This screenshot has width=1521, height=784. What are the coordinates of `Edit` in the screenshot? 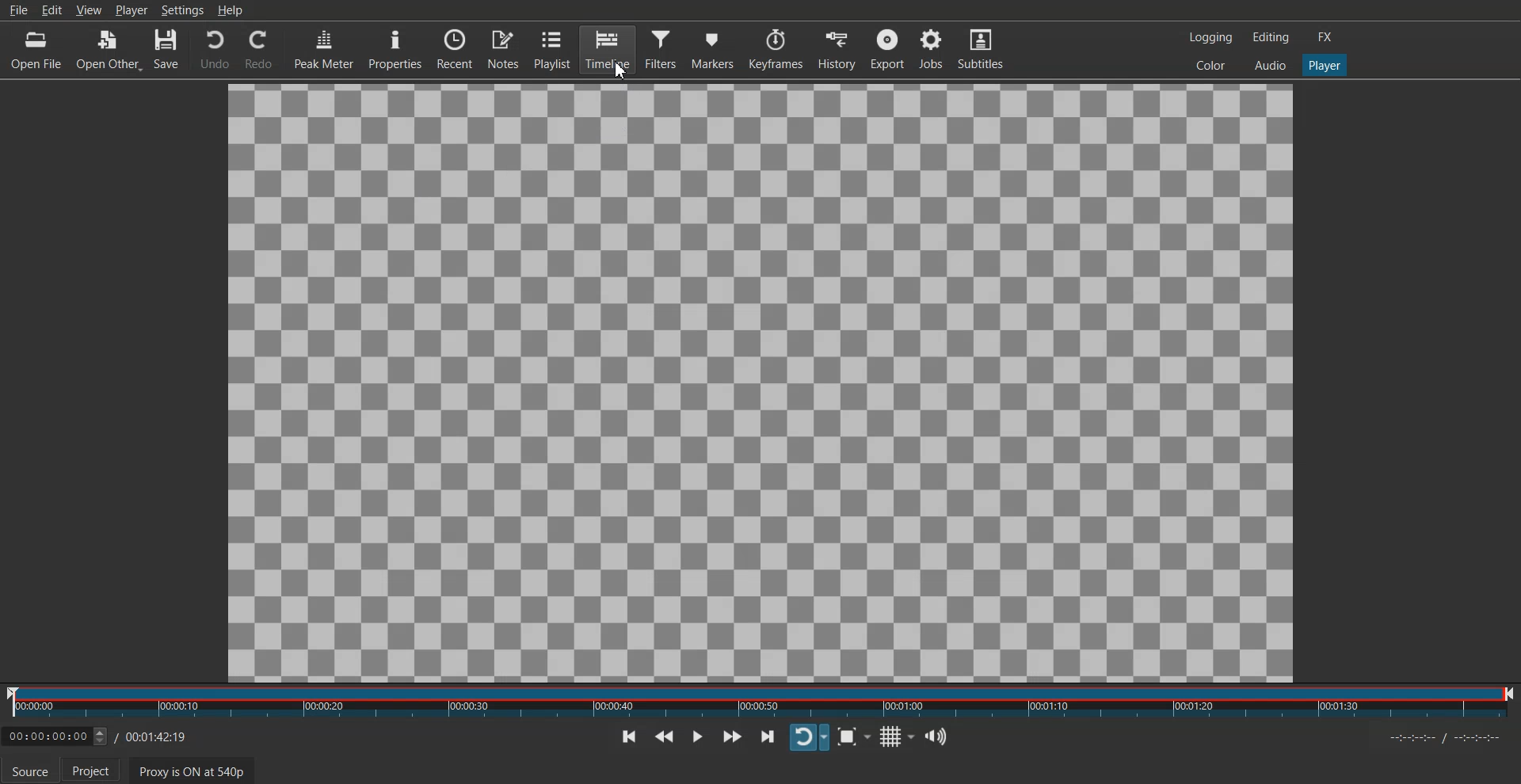 It's located at (51, 10).